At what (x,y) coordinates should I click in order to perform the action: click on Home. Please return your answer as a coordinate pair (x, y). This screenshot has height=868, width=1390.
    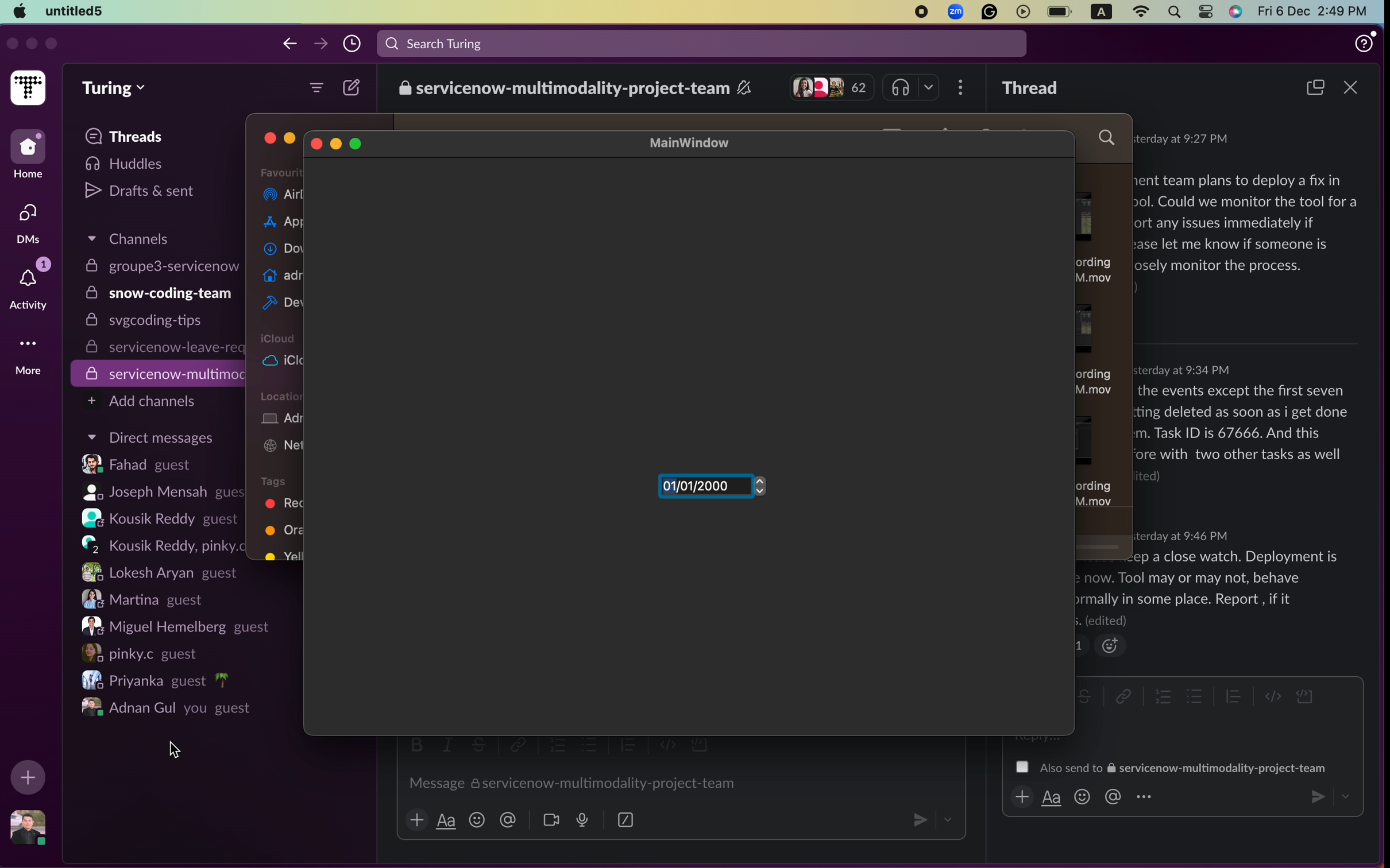
    Looking at the image, I should click on (29, 156).